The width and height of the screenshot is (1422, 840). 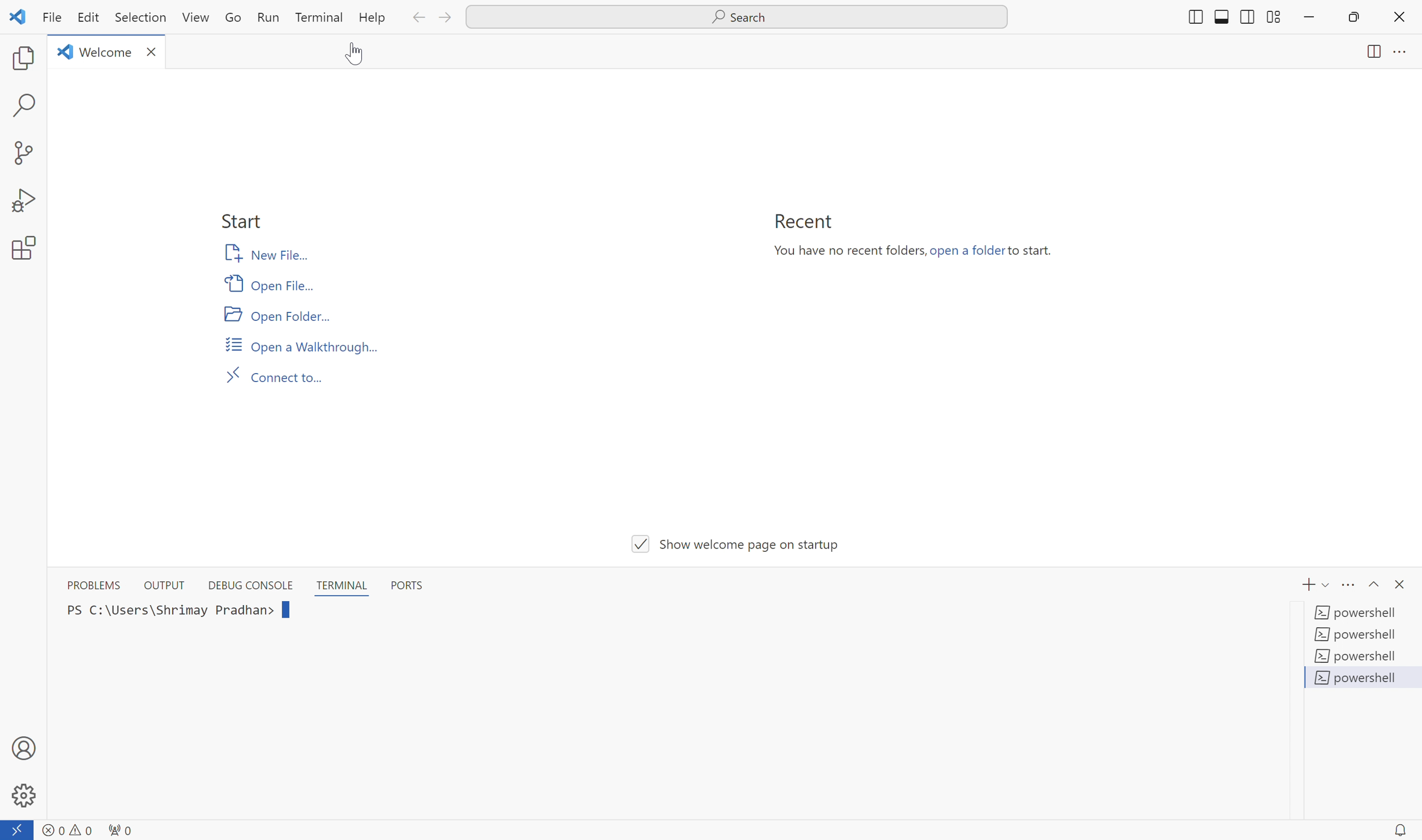 I want to click on V/| Show welcome page on startup, so click(x=742, y=541).